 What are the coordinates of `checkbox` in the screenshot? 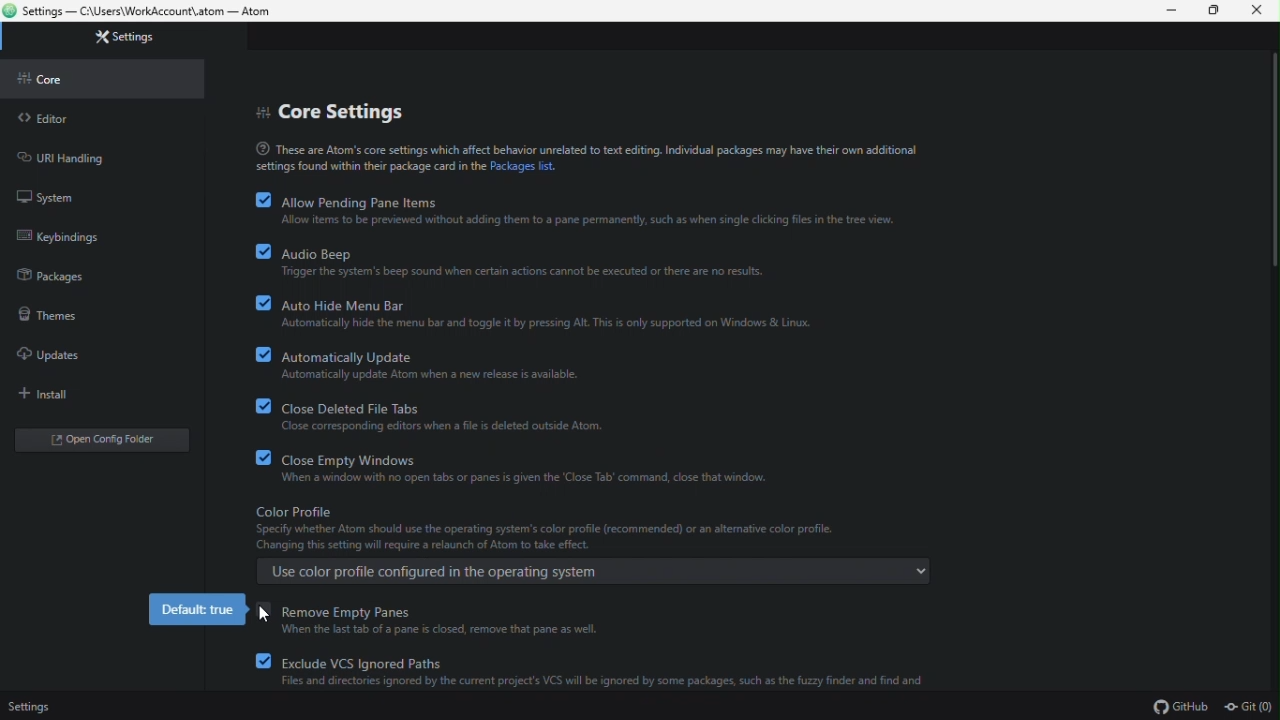 It's located at (256, 251).